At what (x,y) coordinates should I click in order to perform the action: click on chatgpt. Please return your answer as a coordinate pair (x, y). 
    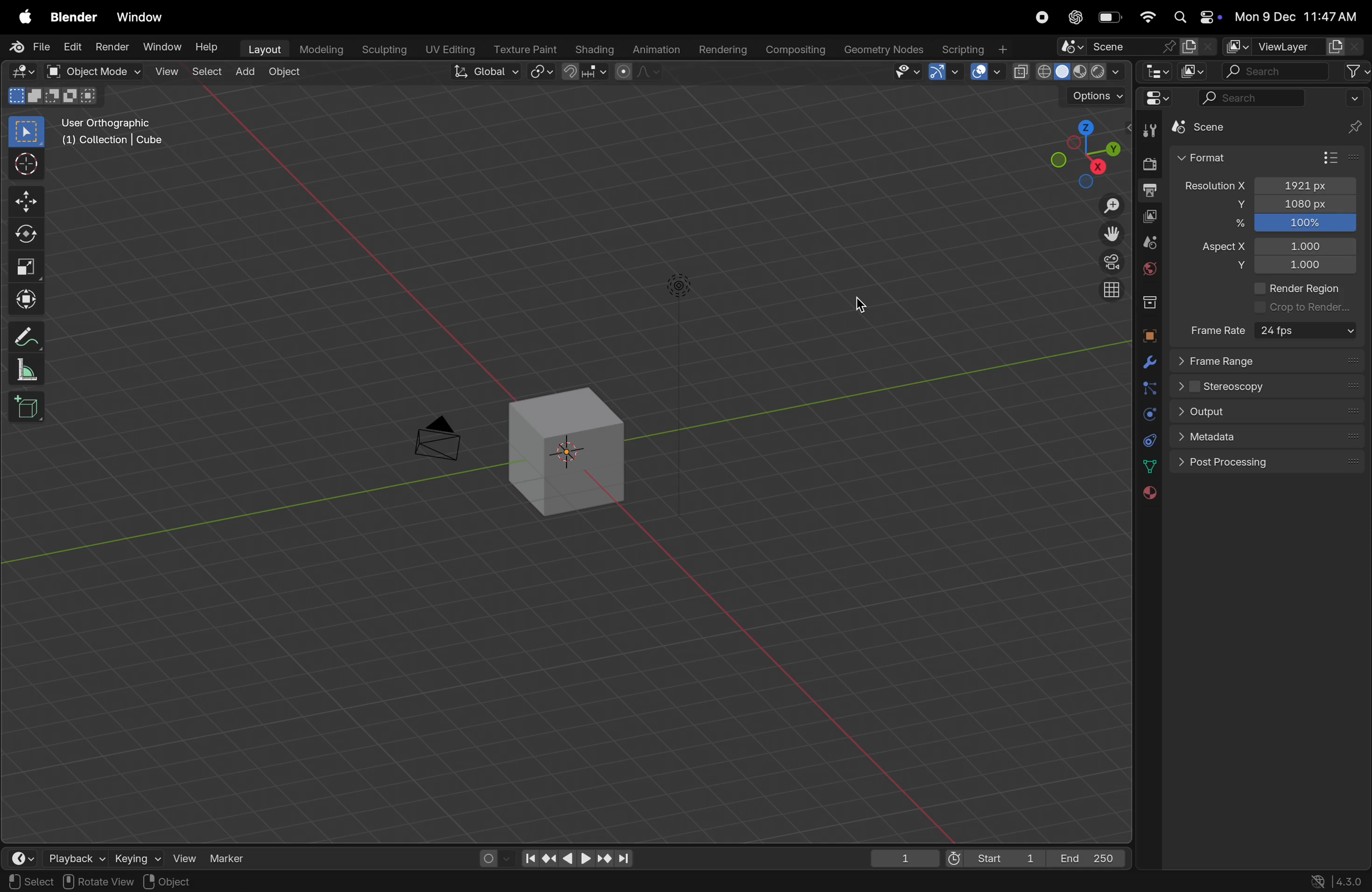
    Looking at the image, I should click on (1074, 18).